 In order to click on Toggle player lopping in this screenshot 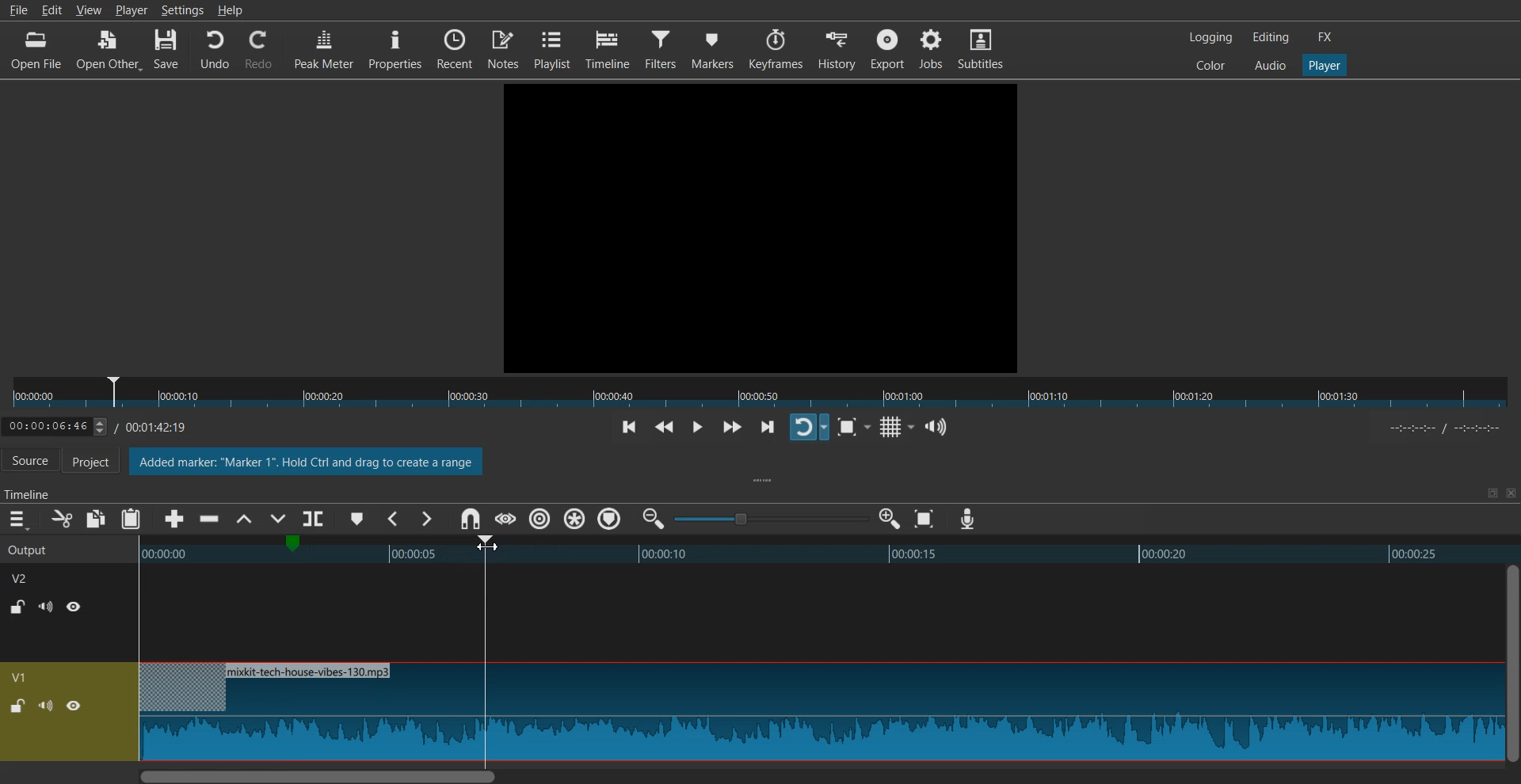, I will do `click(809, 427)`.